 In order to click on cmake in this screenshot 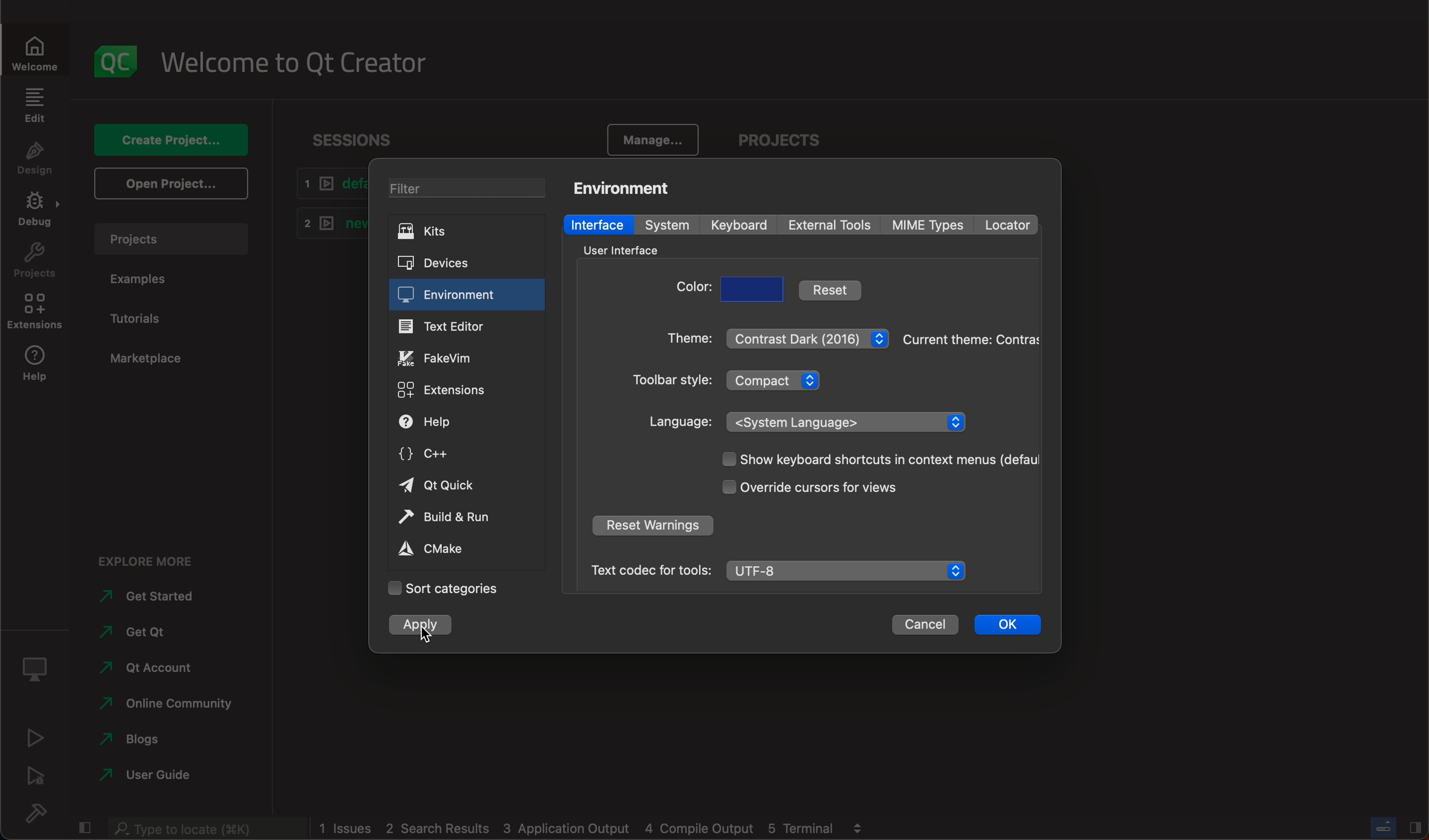, I will do `click(458, 549)`.